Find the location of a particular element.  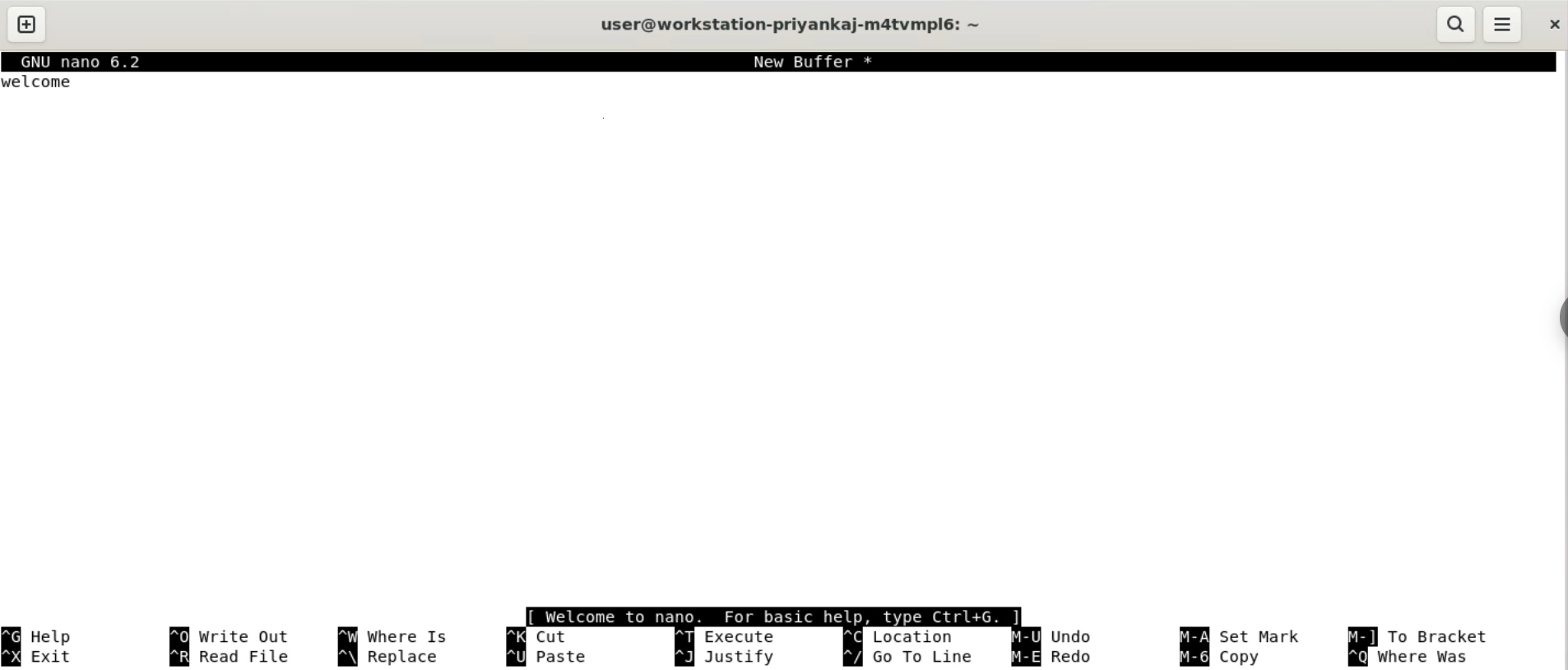

copy is located at coordinates (1226, 658).